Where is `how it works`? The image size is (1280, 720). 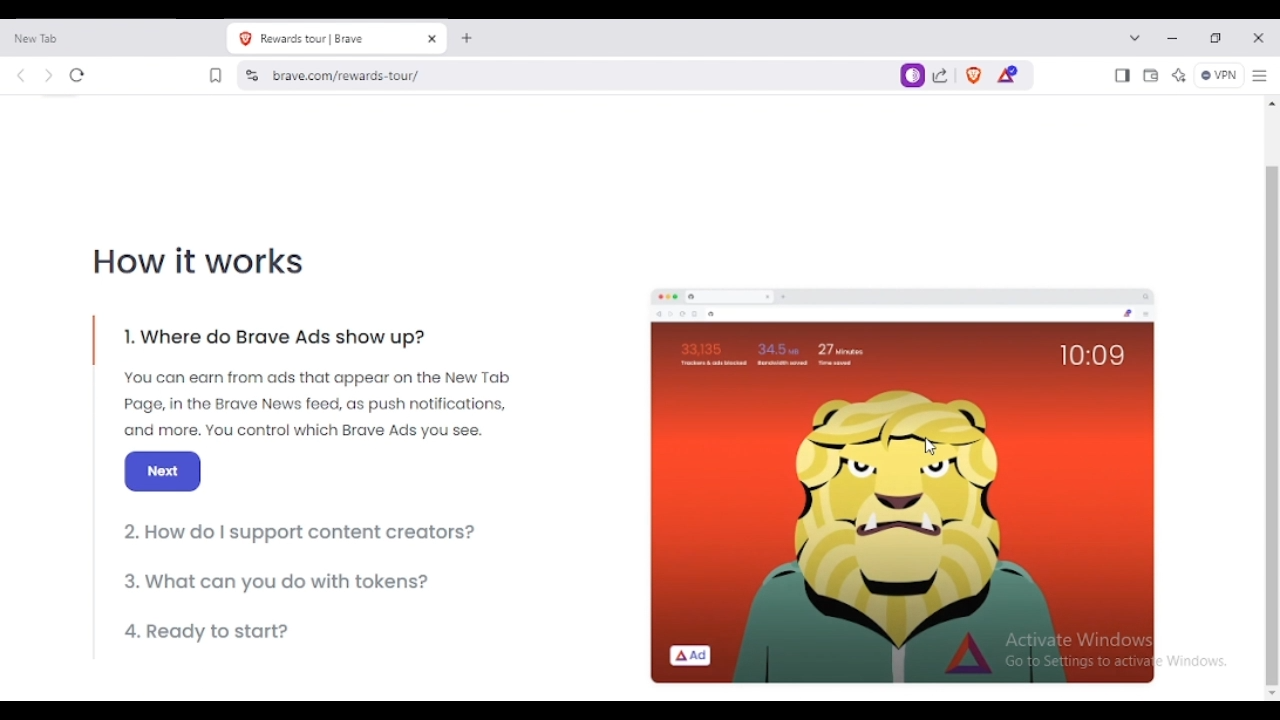
how it works is located at coordinates (201, 262).